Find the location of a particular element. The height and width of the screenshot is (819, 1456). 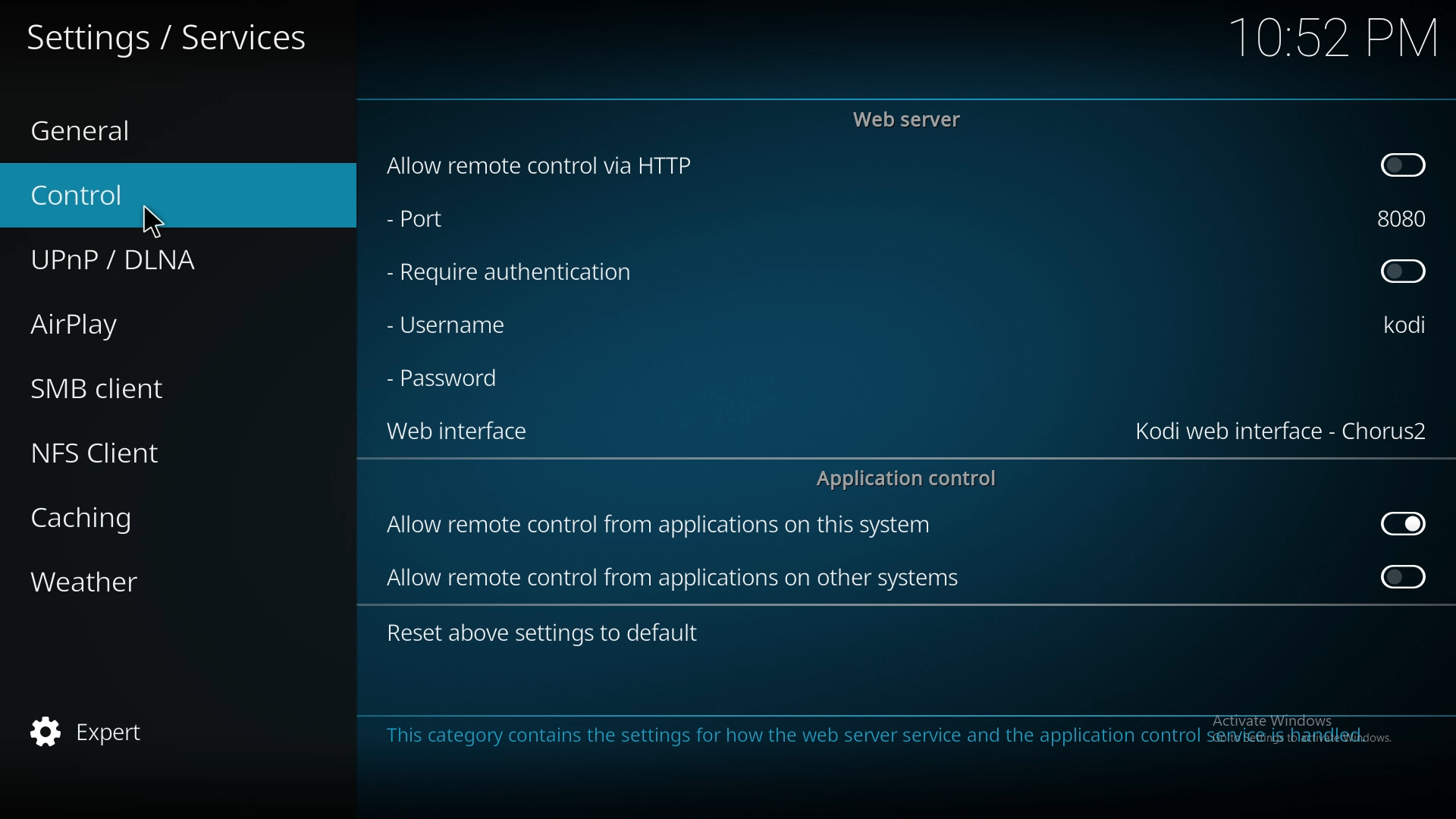

time is located at coordinates (1333, 36).